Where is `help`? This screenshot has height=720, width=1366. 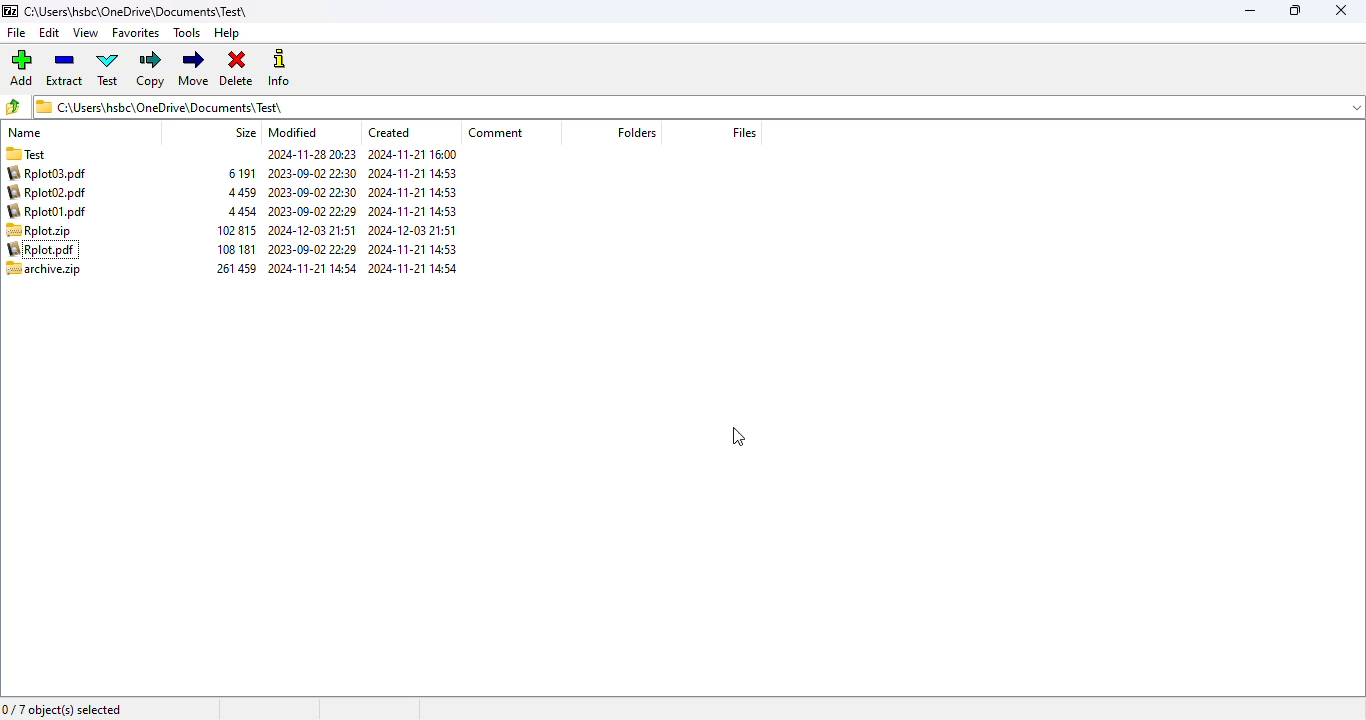 help is located at coordinates (227, 33).